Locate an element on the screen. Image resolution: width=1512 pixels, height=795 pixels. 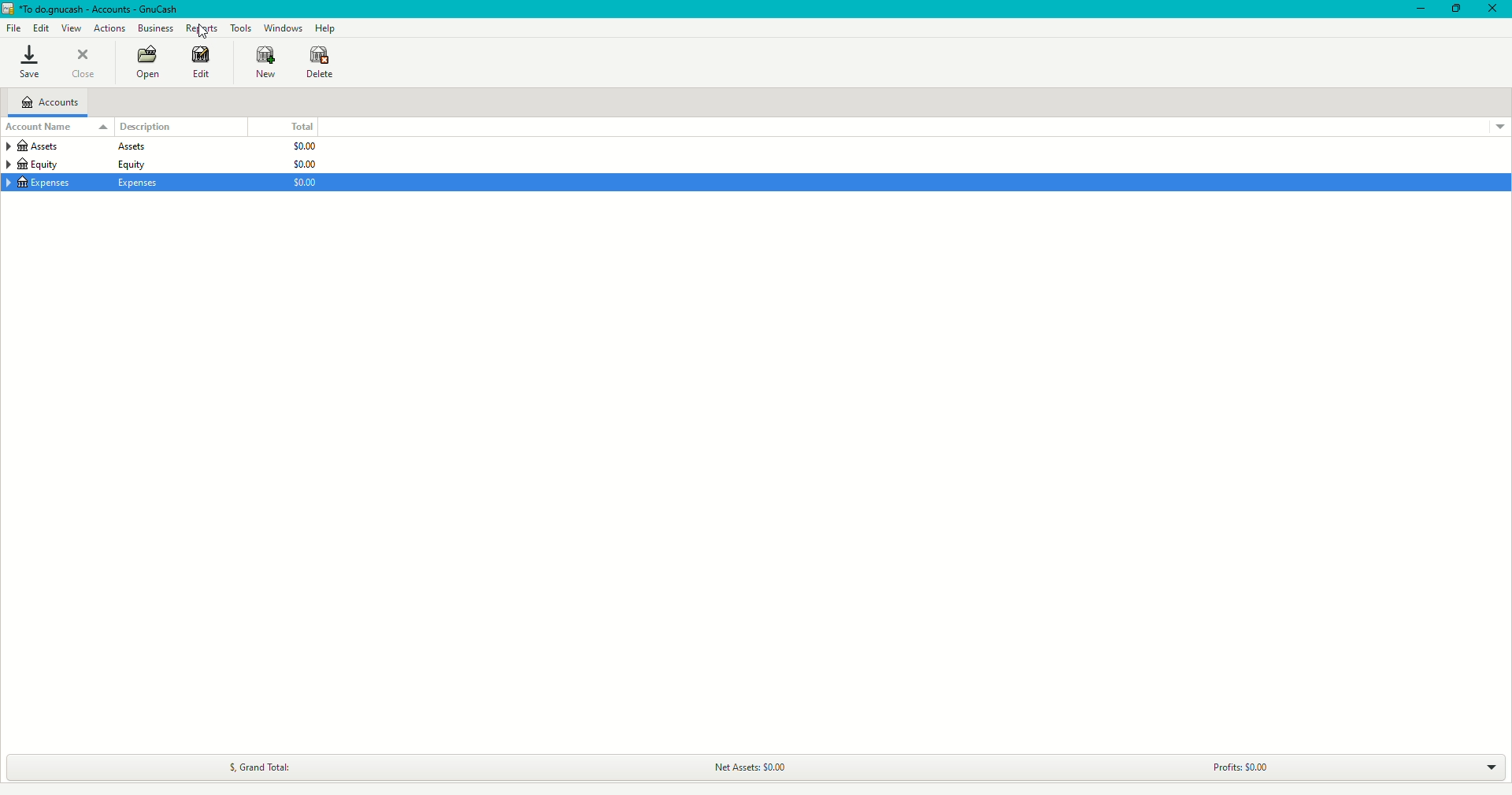
Restore is located at coordinates (1458, 8).